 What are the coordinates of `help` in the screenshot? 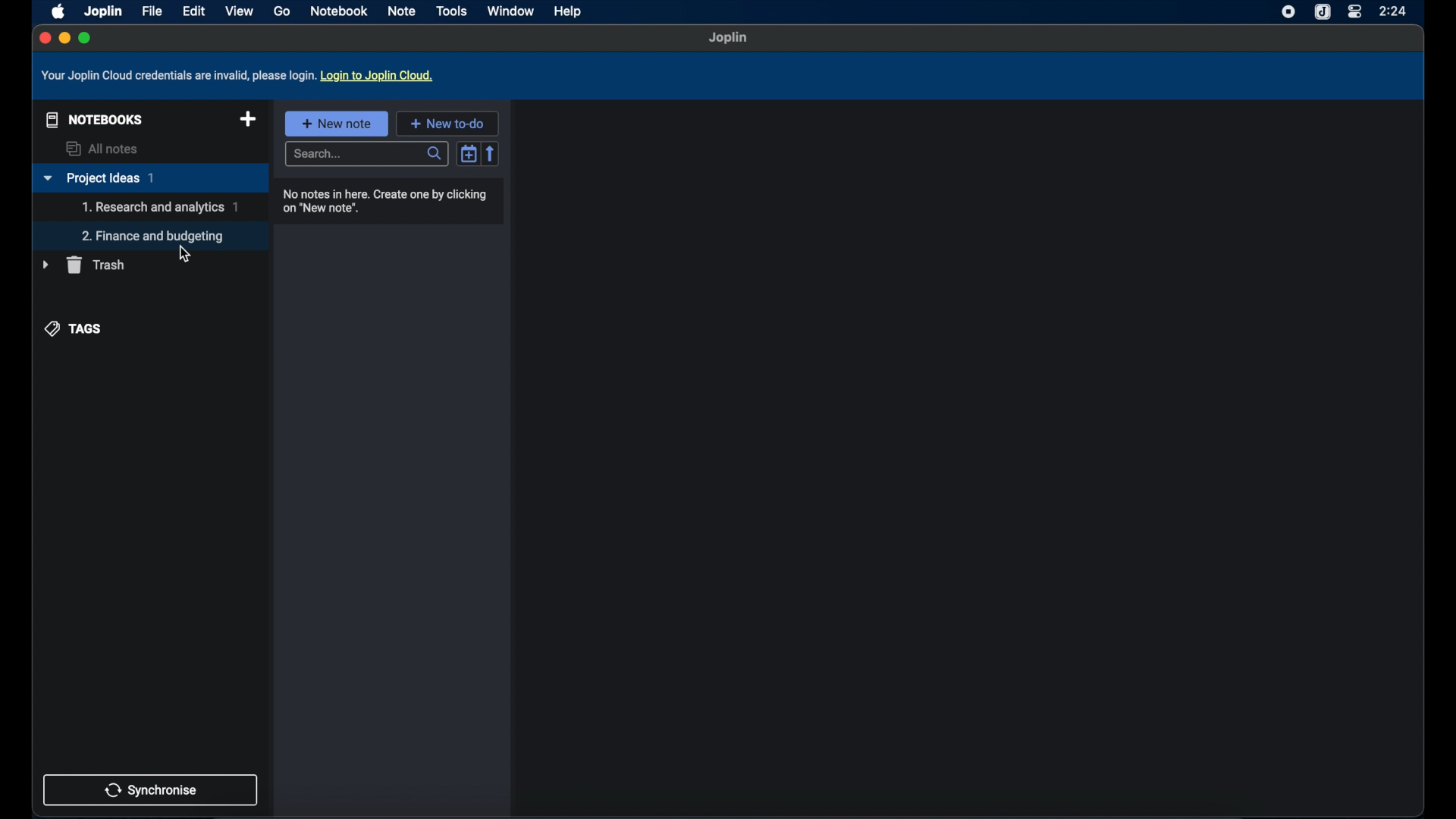 It's located at (569, 13).